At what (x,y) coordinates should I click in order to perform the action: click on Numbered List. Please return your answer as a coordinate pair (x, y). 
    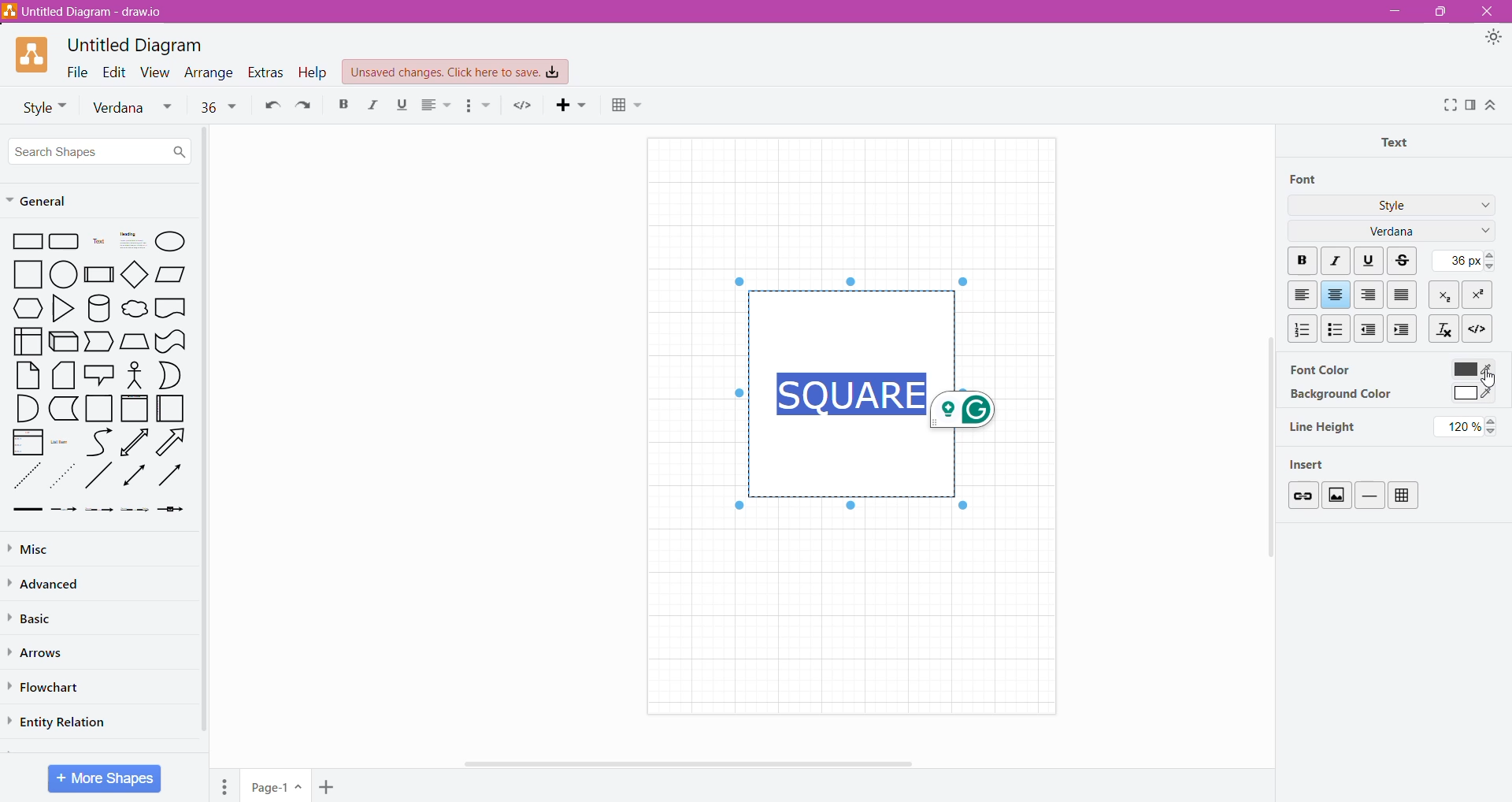
    Looking at the image, I should click on (1299, 329).